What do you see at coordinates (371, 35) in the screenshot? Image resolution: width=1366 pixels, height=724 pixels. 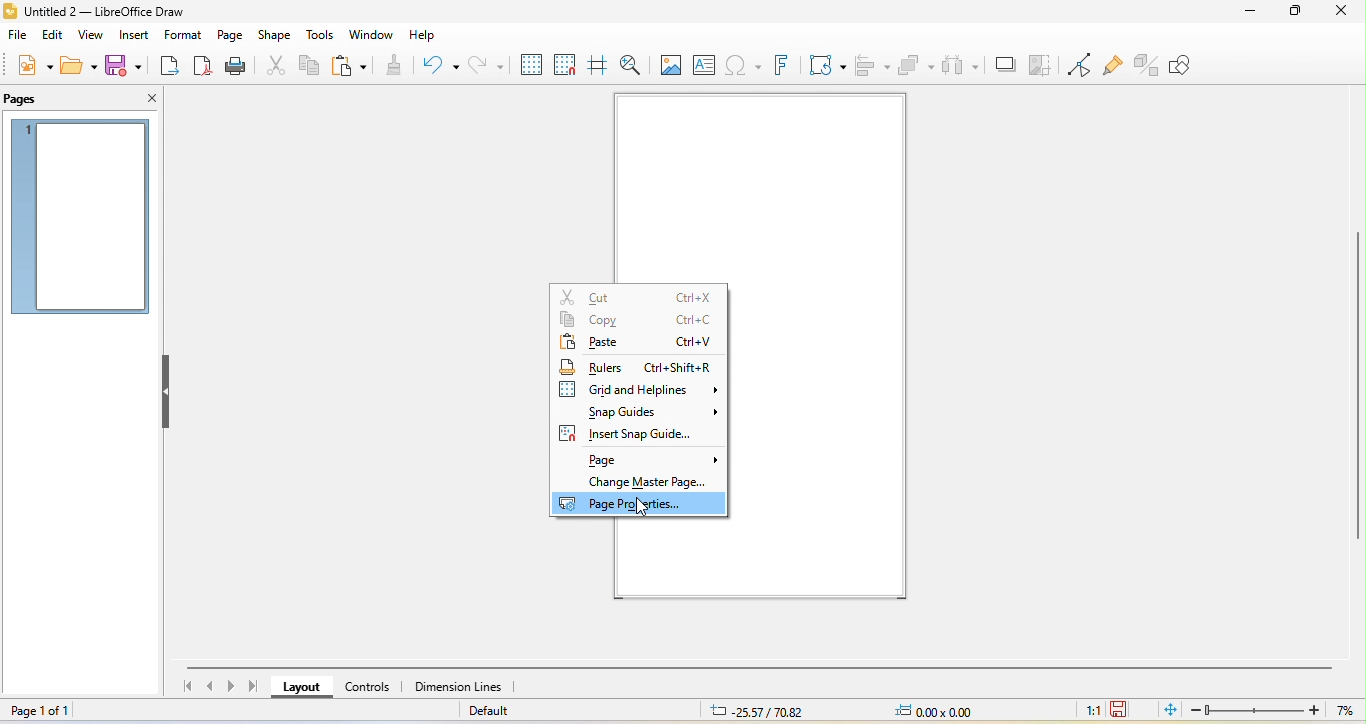 I see `window` at bounding box center [371, 35].